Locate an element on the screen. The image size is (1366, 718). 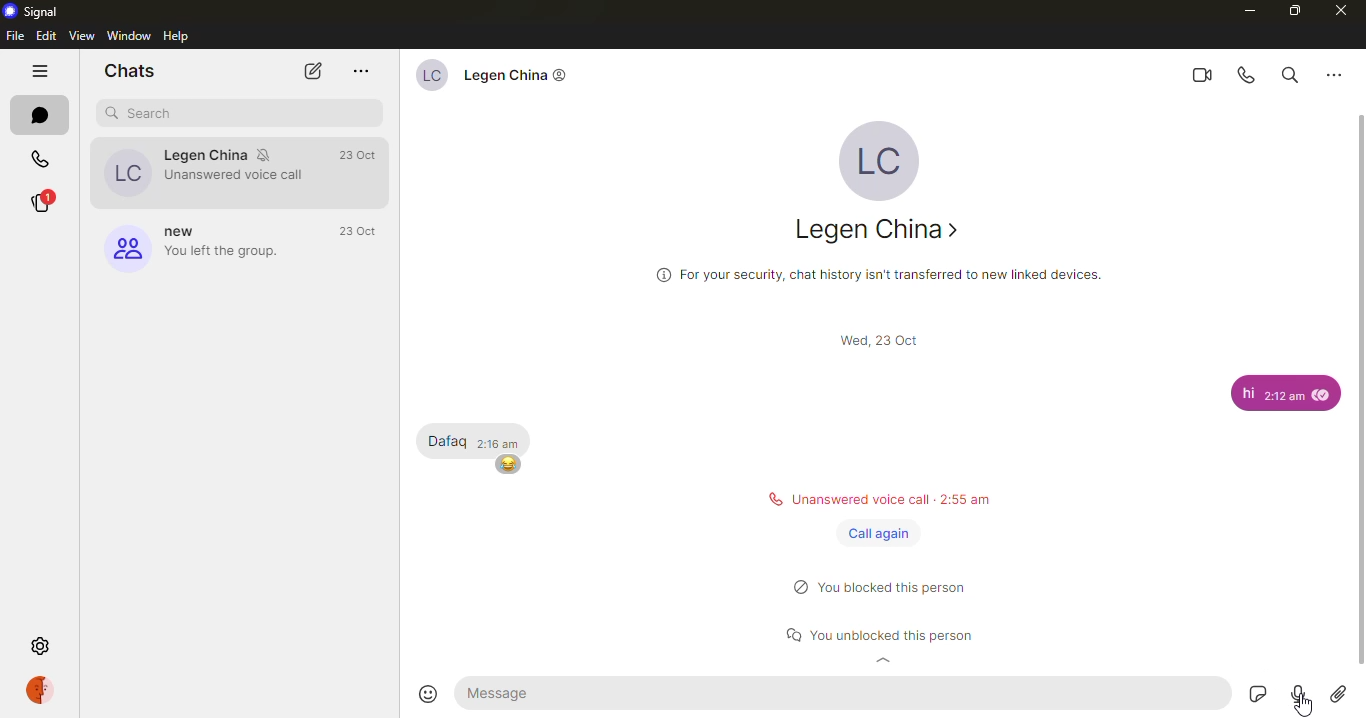
record is located at coordinates (1295, 695).